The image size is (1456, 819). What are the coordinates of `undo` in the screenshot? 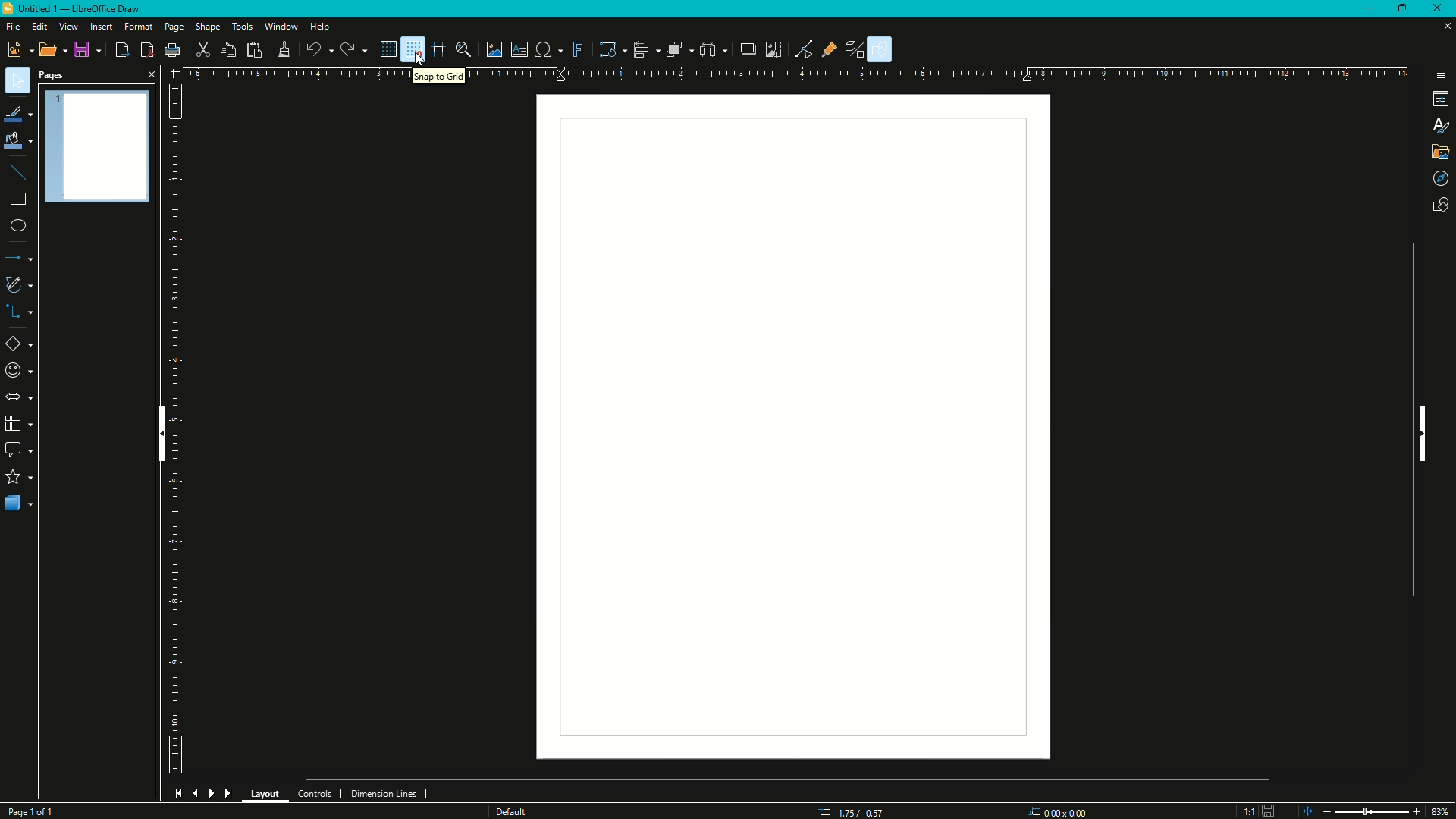 It's located at (316, 49).